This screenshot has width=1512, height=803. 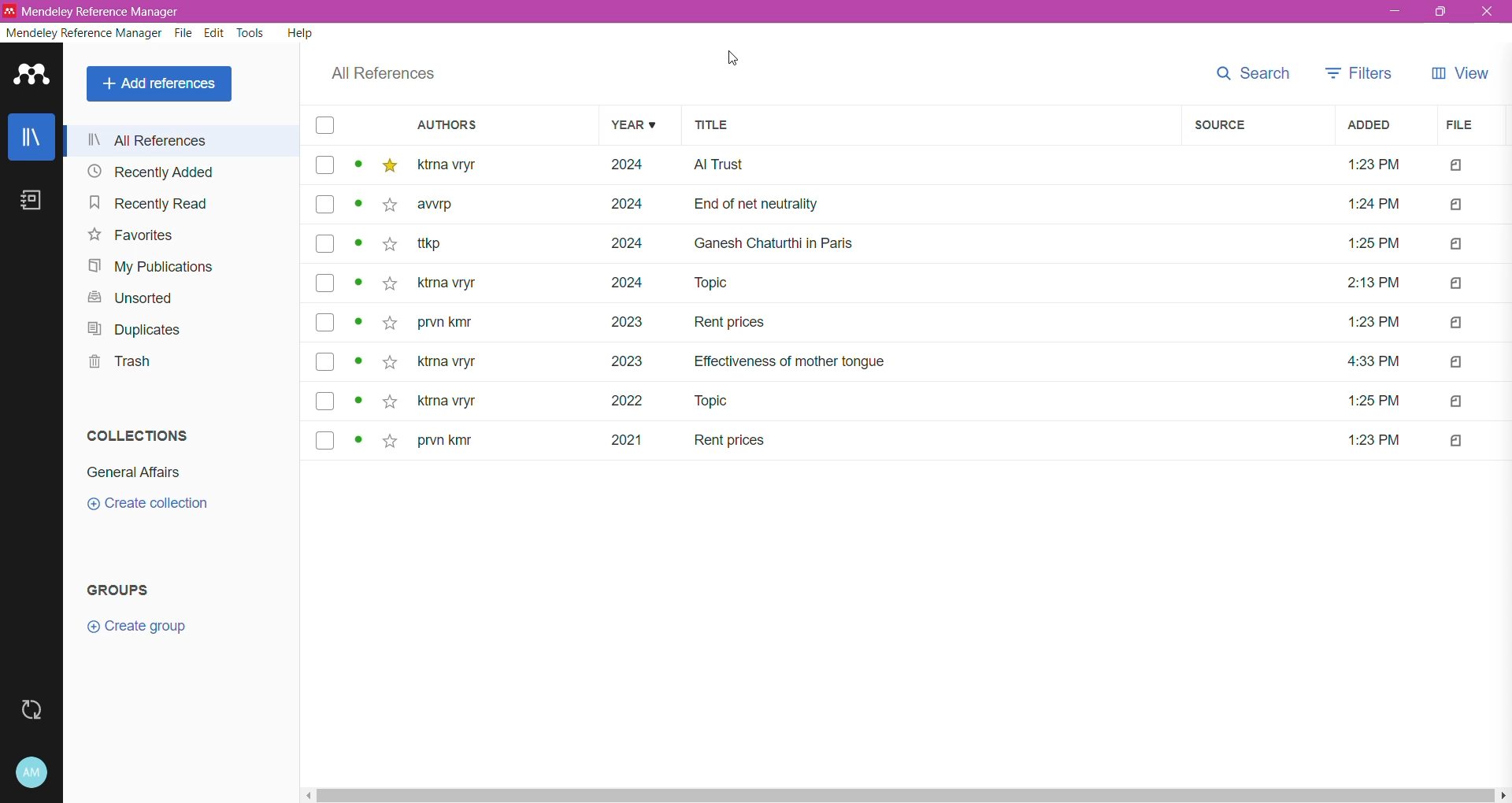 I want to click on added, so click(x=1369, y=125).